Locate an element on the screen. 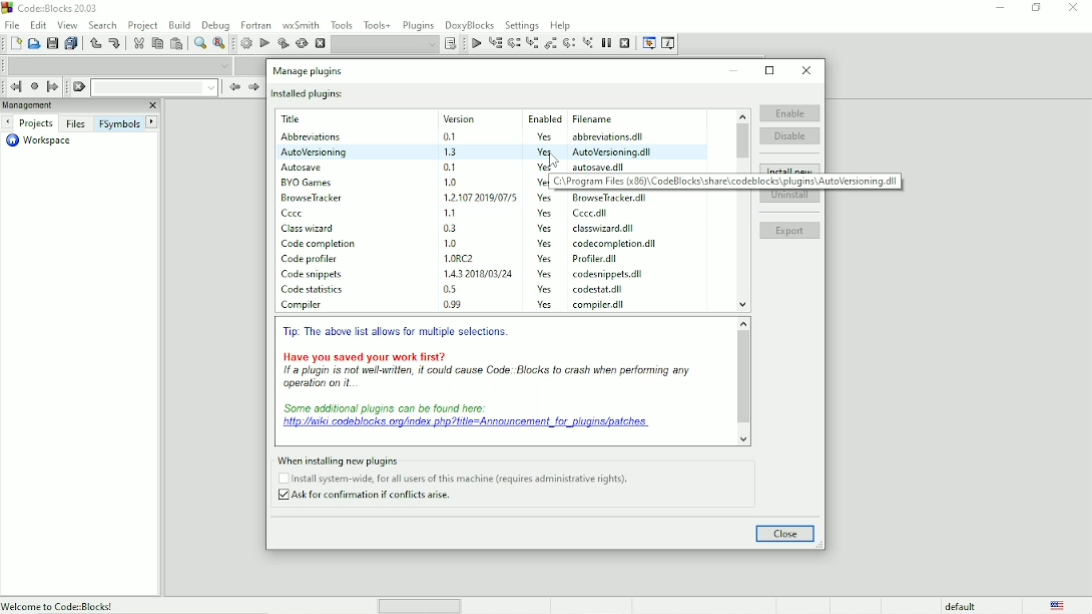 Image resolution: width=1092 pixels, height=614 pixels. Codecompletion.dll is located at coordinates (616, 244).